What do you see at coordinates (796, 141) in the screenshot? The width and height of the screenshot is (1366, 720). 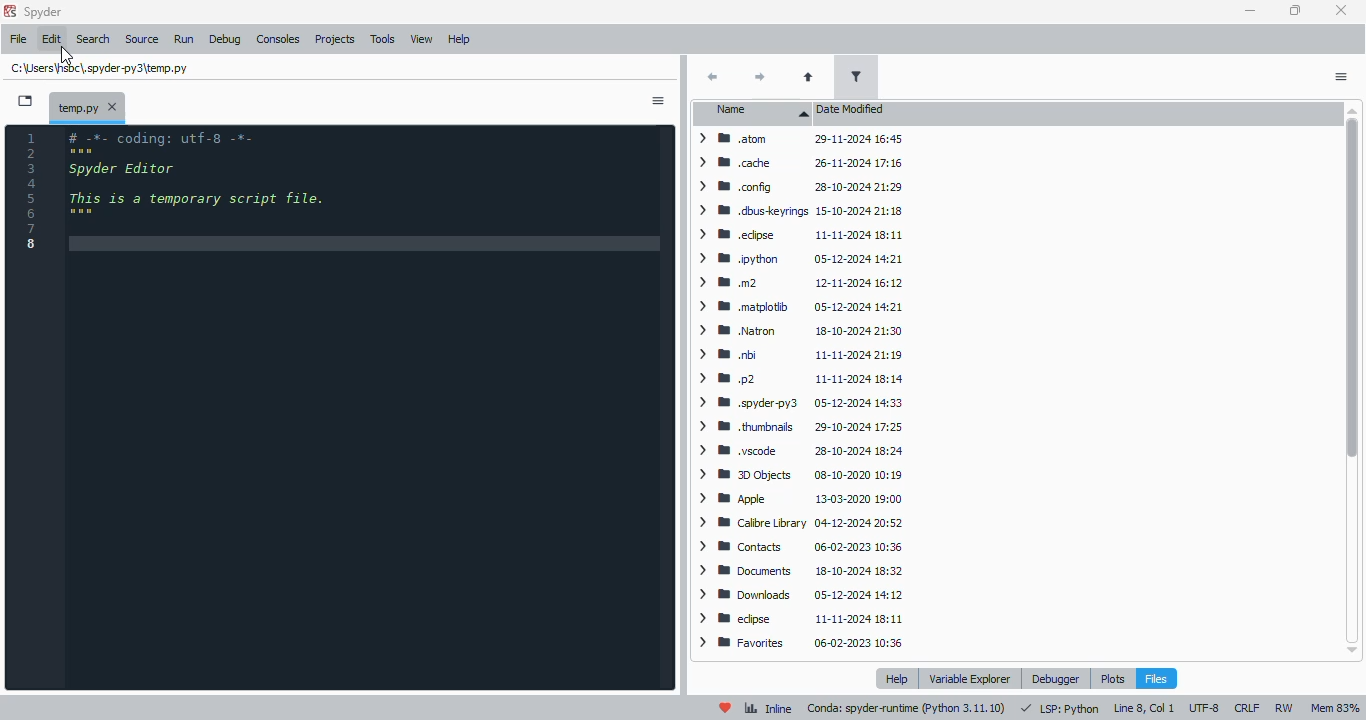 I see `>  atom 29-11-2024 16:45` at bounding box center [796, 141].